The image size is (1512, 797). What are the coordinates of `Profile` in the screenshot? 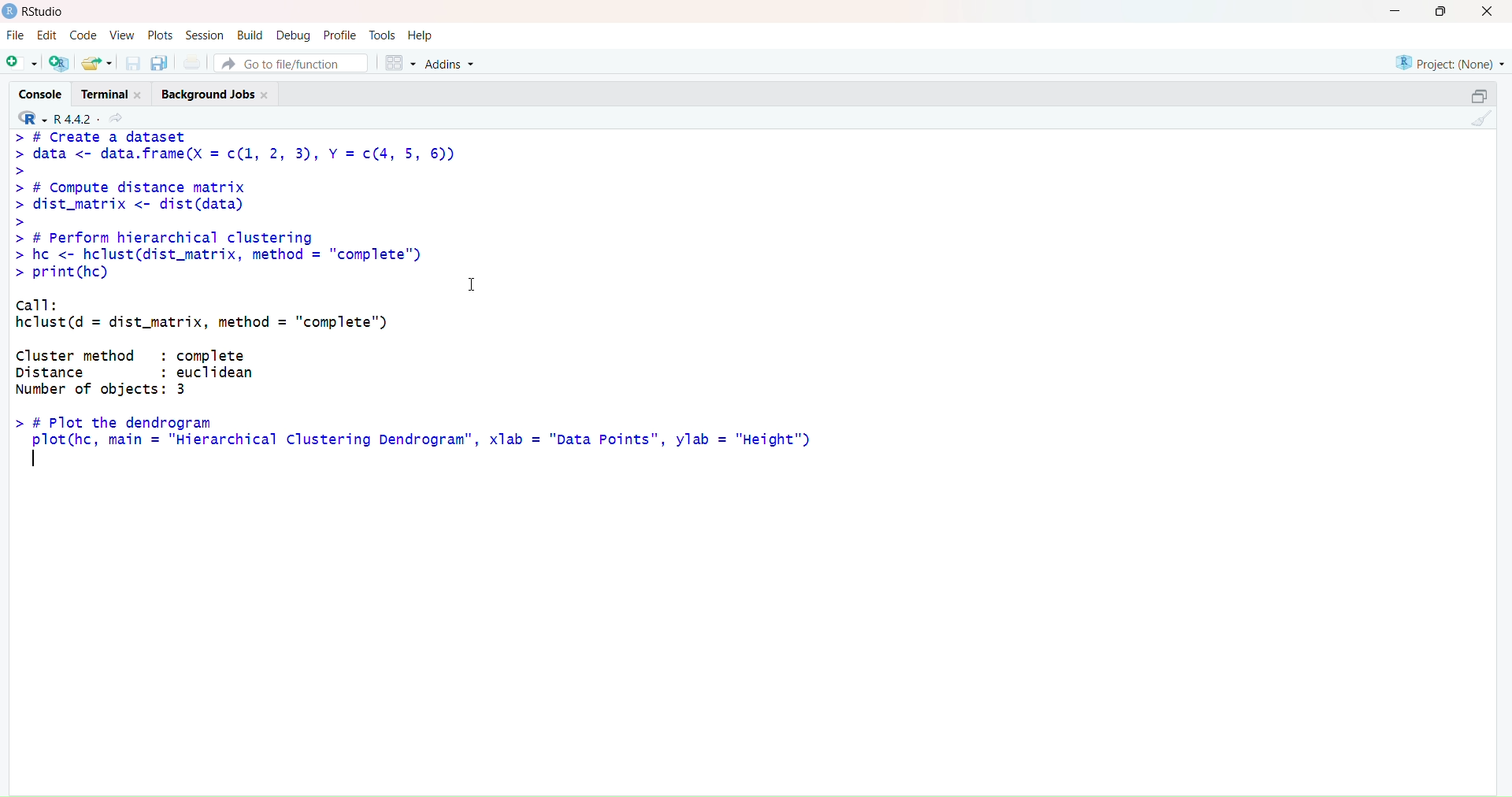 It's located at (338, 35).